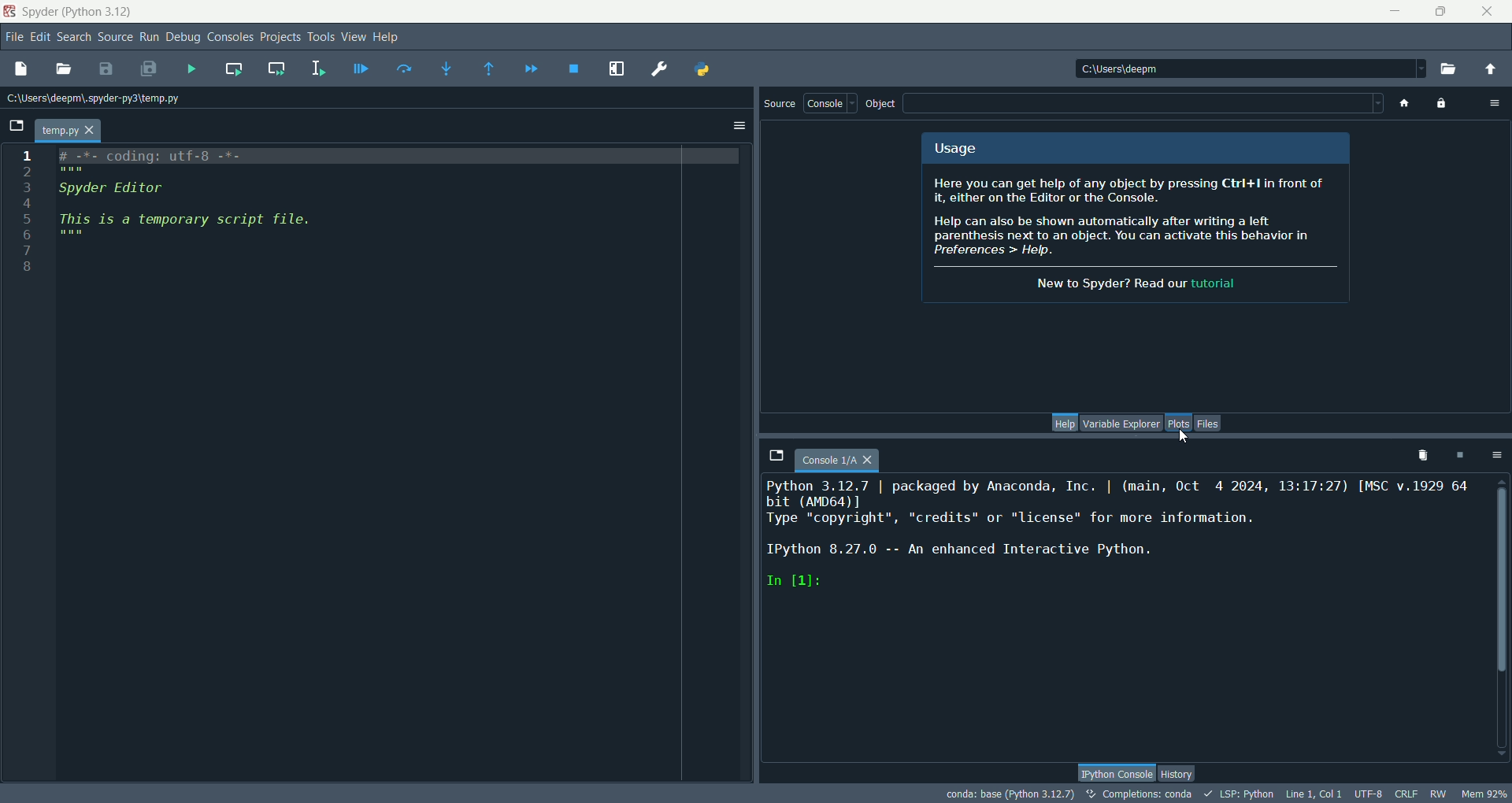 This screenshot has height=803, width=1512. I want to click on help, so click(387, 37).